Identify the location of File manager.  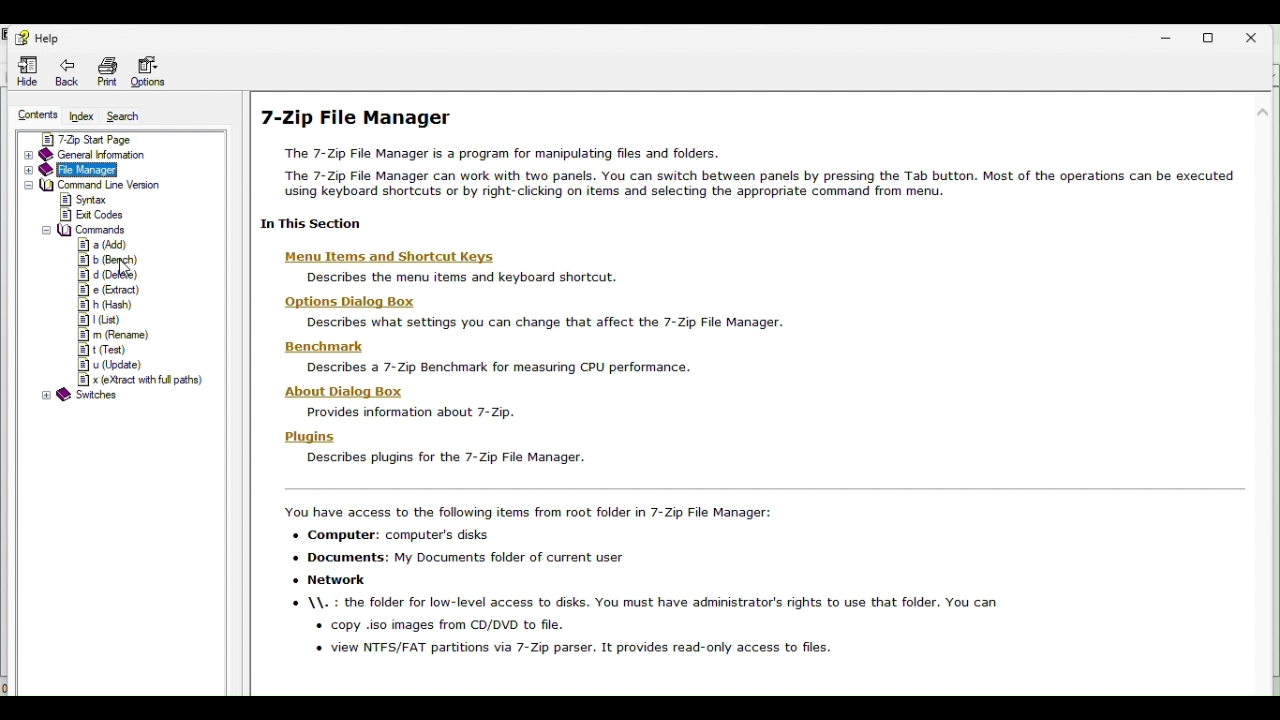
(102, 168).